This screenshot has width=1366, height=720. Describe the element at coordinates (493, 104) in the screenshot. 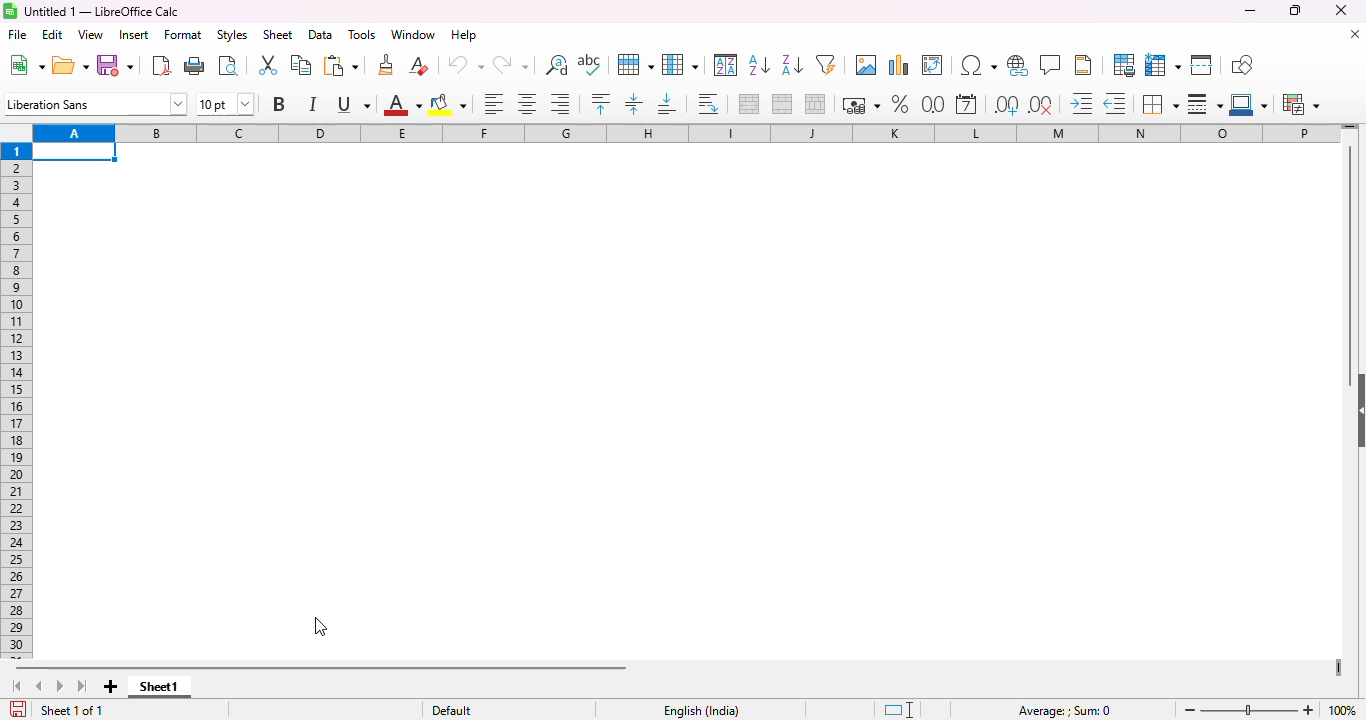

I see `align left` at that location.